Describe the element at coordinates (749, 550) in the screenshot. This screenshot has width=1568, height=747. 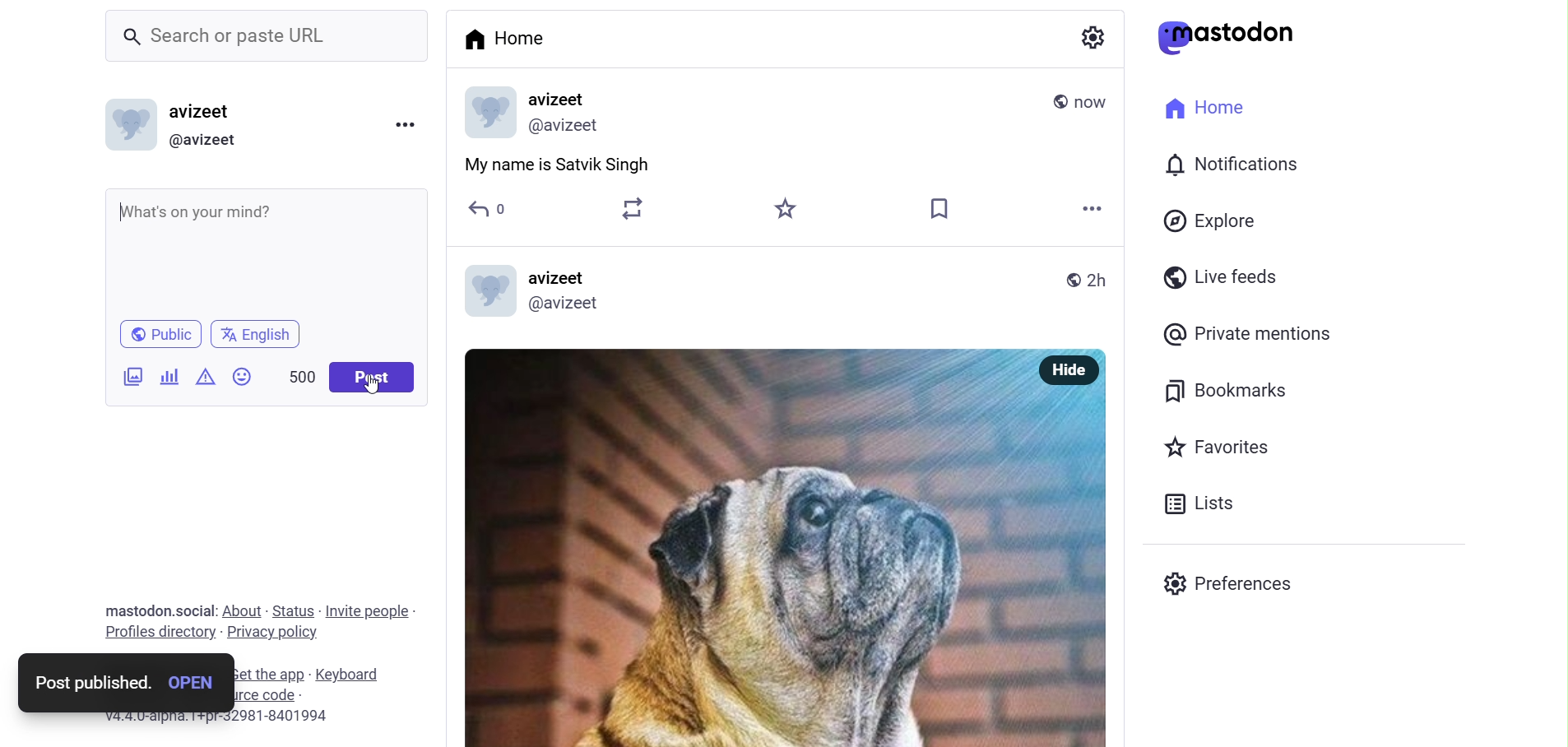
I see `image` at that location.